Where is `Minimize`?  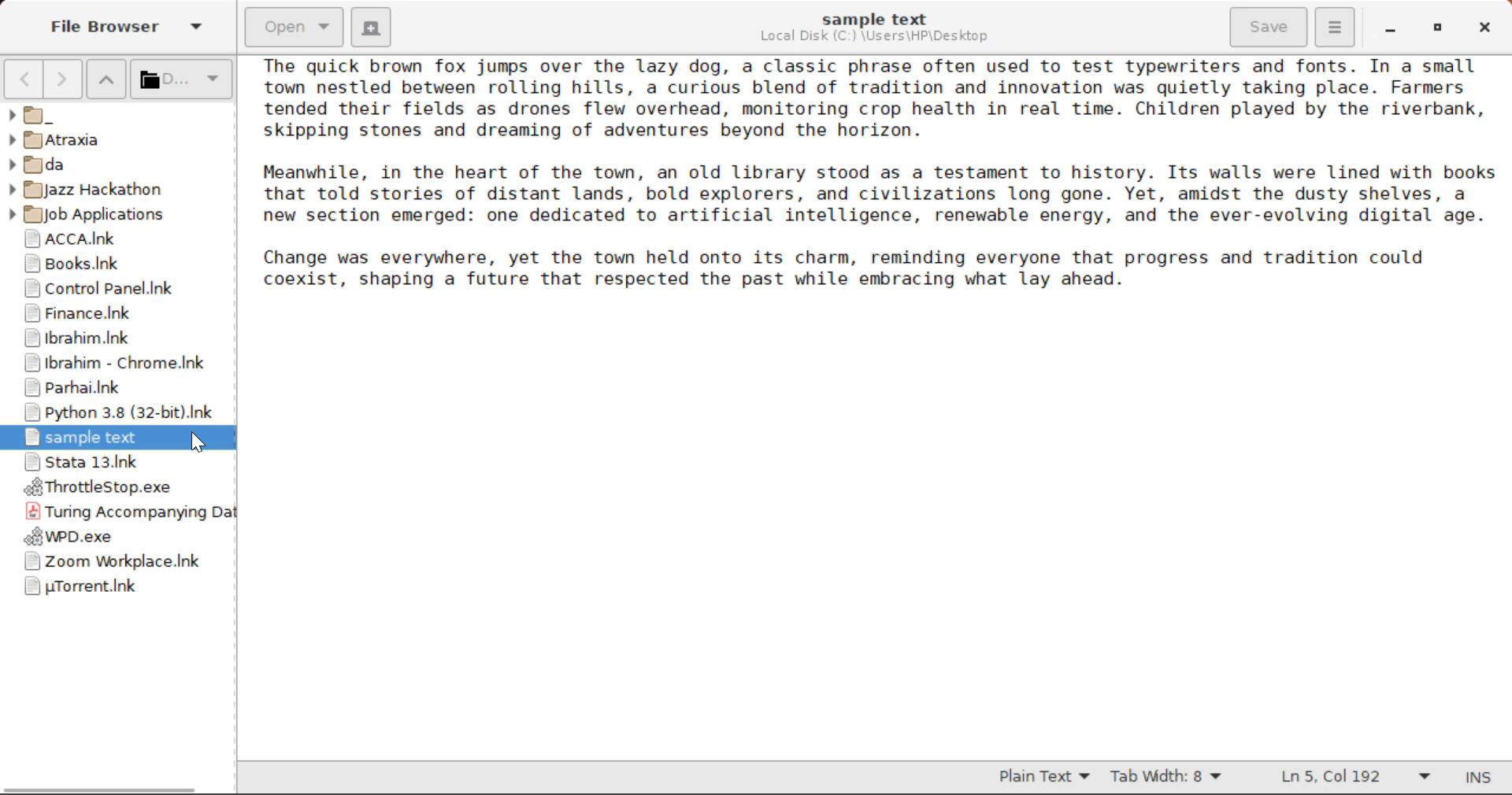 Minimize is located at coordinates (1432, 28).